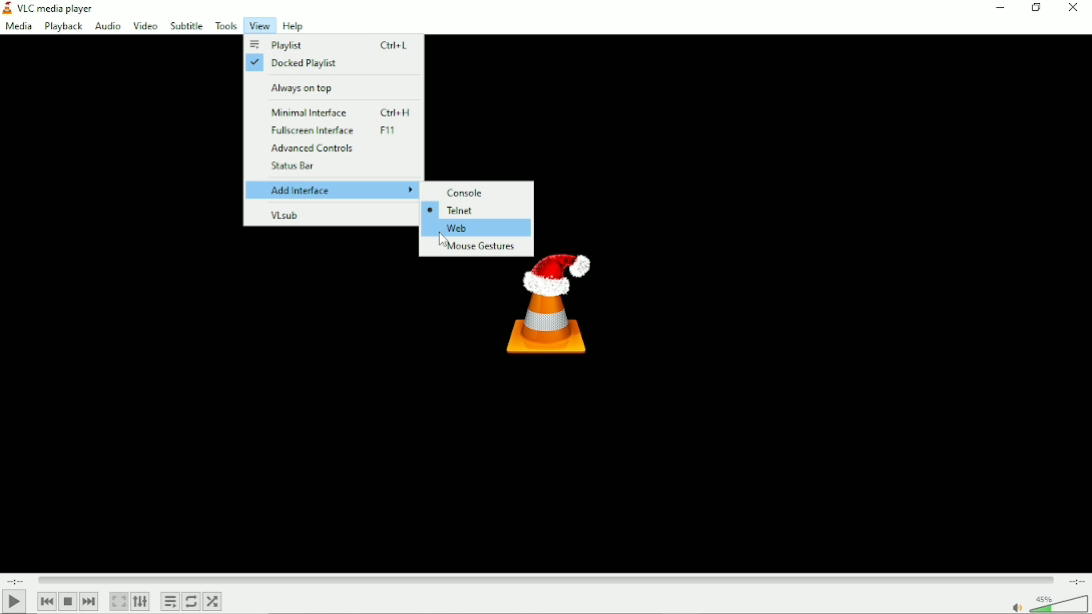 The image size is (1092, 614). Describe the element at coordinates (15, 602) in the screenshot. I see `Play` at that location.